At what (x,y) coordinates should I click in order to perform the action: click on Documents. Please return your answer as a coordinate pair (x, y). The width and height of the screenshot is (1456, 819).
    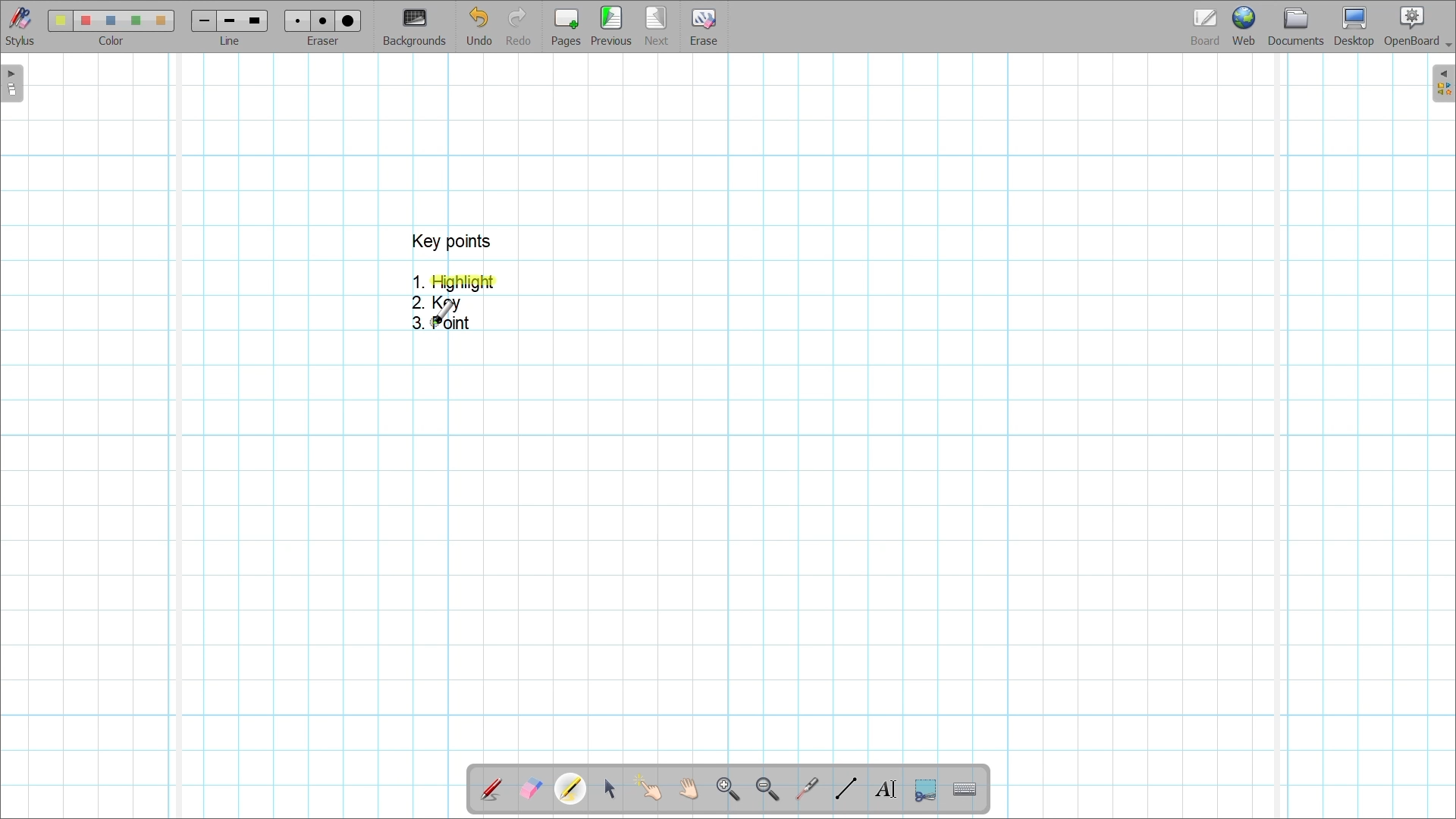
    Looking at the image, I should click on (1296, 27).